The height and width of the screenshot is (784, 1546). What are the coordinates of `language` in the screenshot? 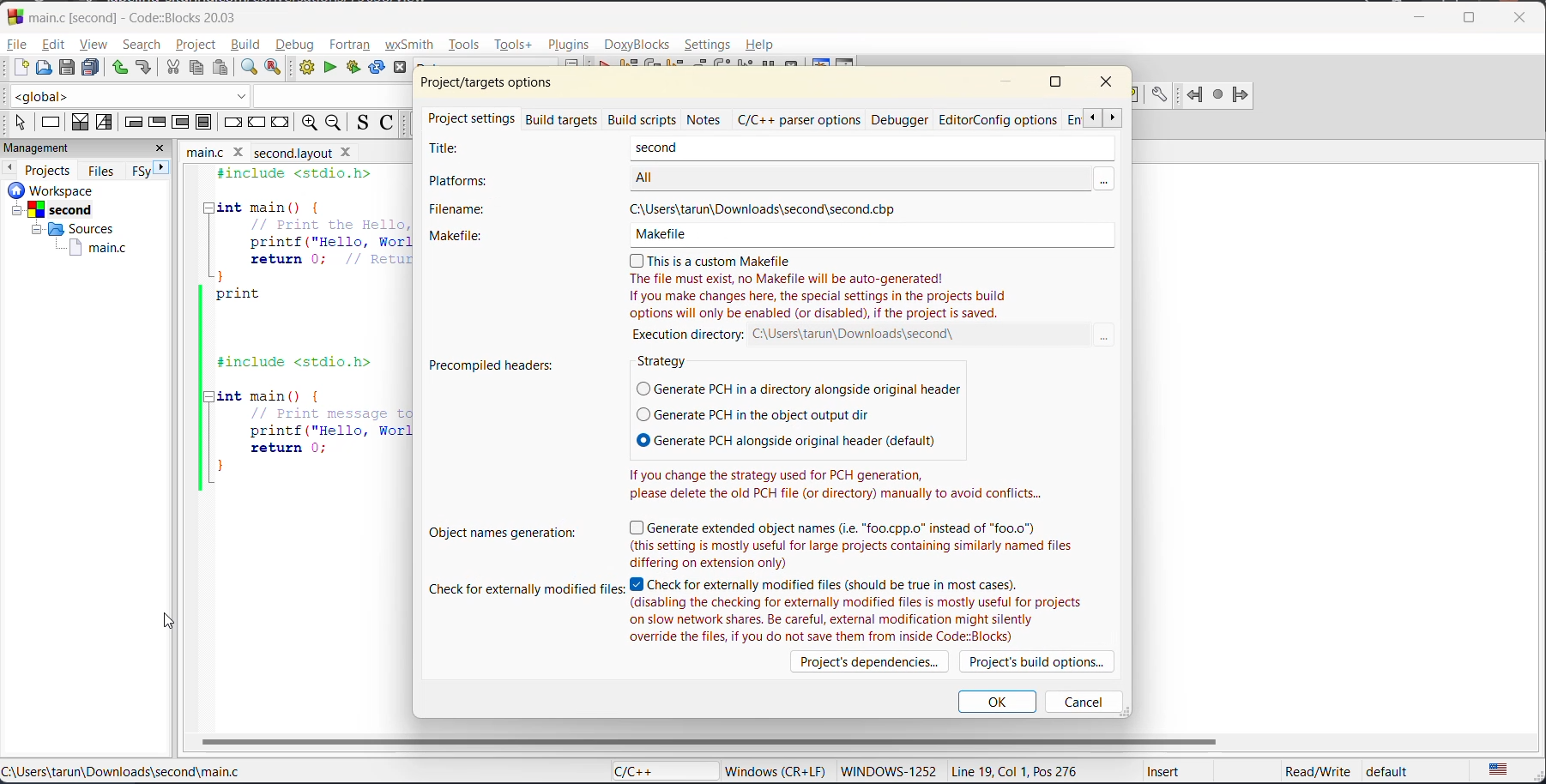 It's located at (663, 774).